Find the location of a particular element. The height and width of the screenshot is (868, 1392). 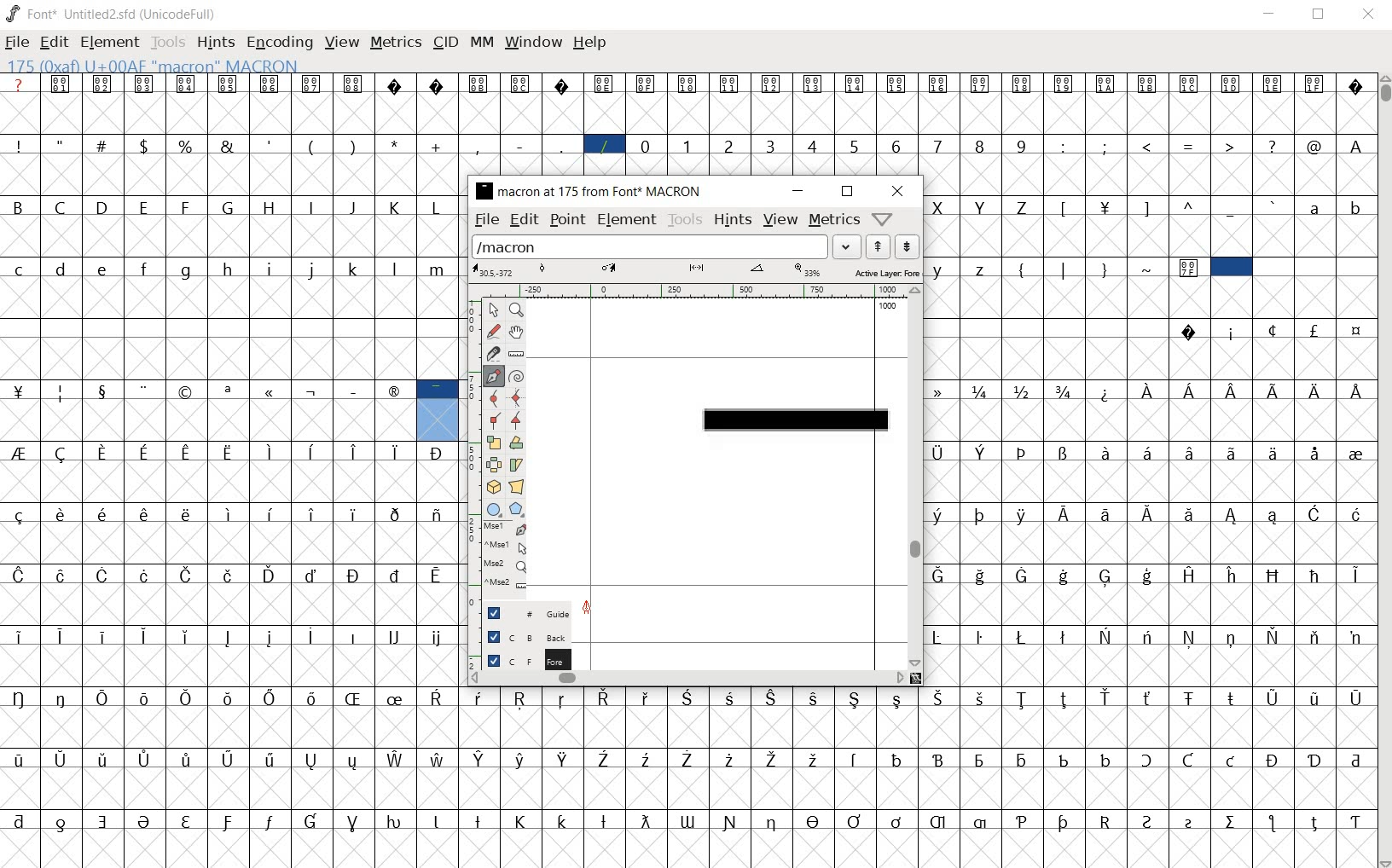

k is located at coordinates (355, 268).